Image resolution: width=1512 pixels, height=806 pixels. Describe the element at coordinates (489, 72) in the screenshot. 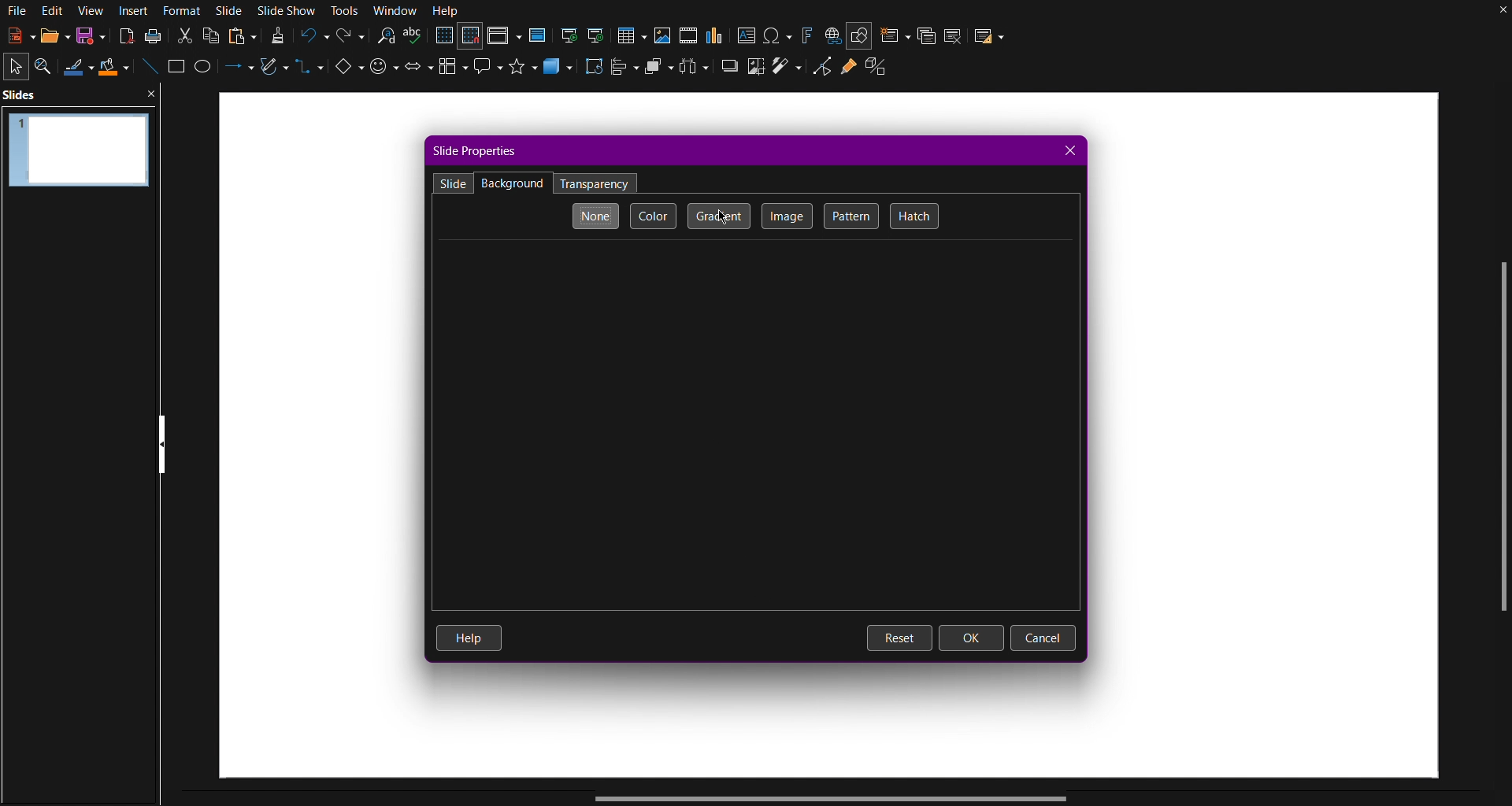

I see `Callout Shapes` at that location.